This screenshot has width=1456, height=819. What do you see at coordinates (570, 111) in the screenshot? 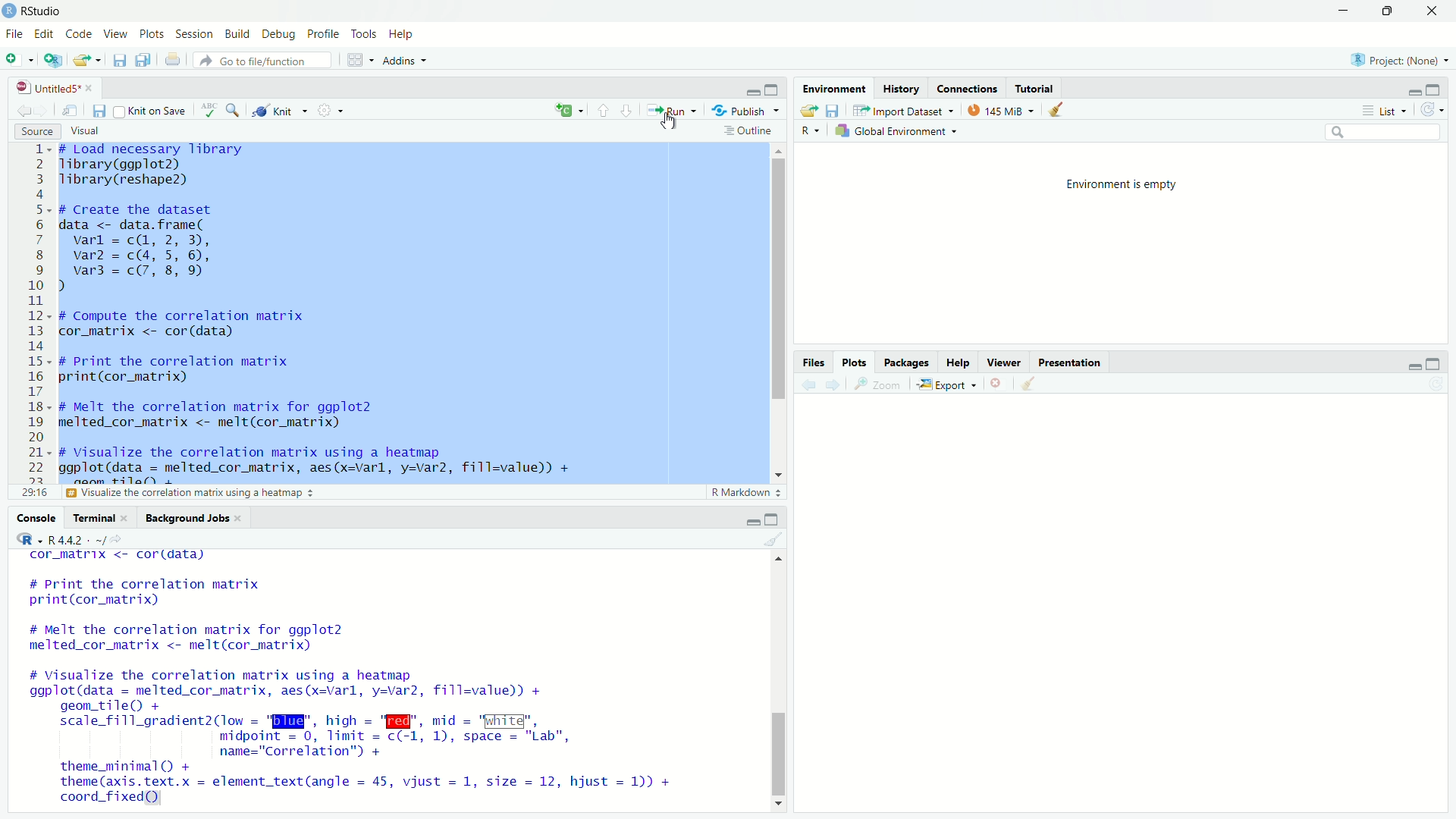
I see `language select` at bounding box center [570, 111].